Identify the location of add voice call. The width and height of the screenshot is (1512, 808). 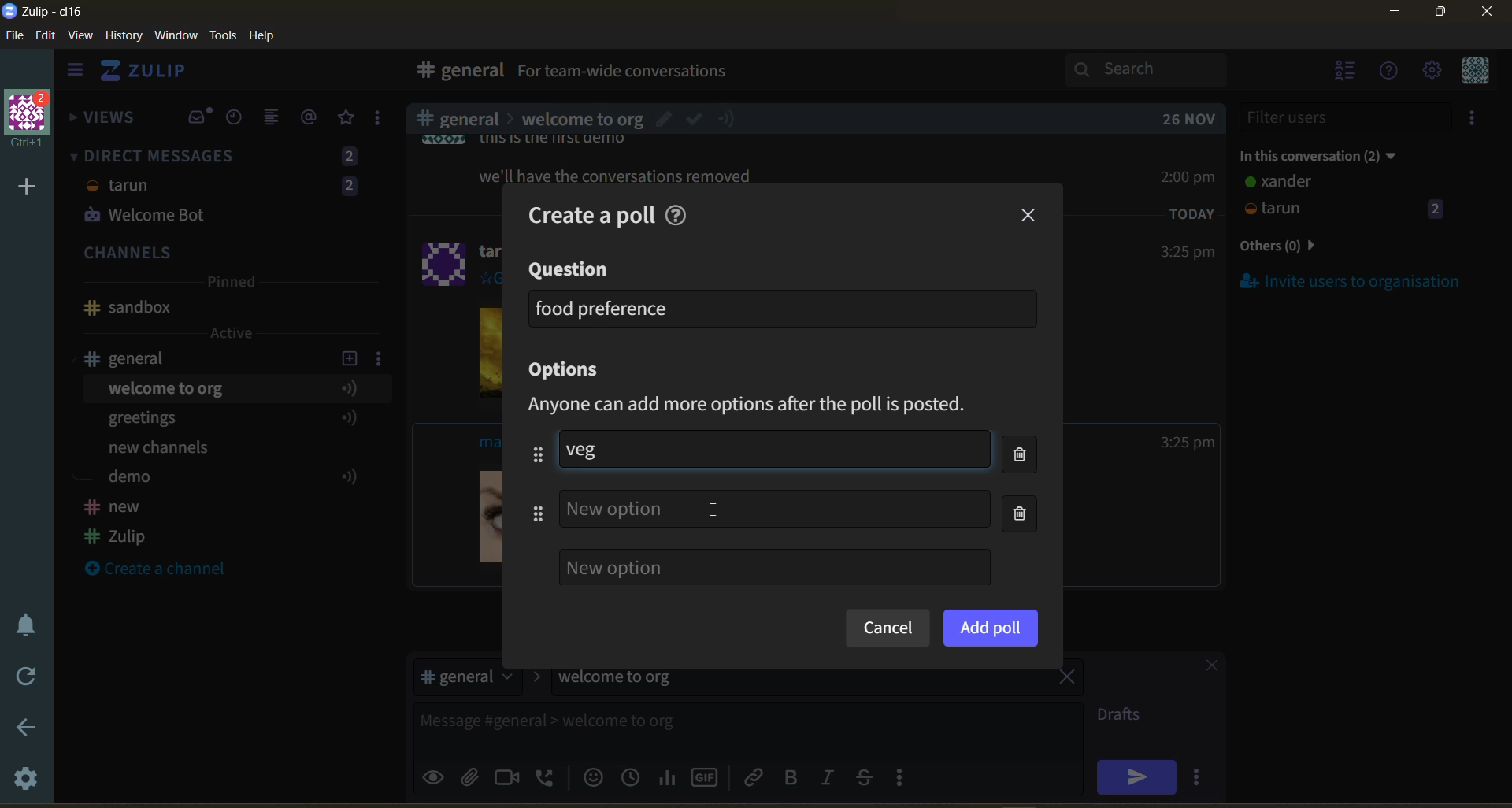
(547, 776).